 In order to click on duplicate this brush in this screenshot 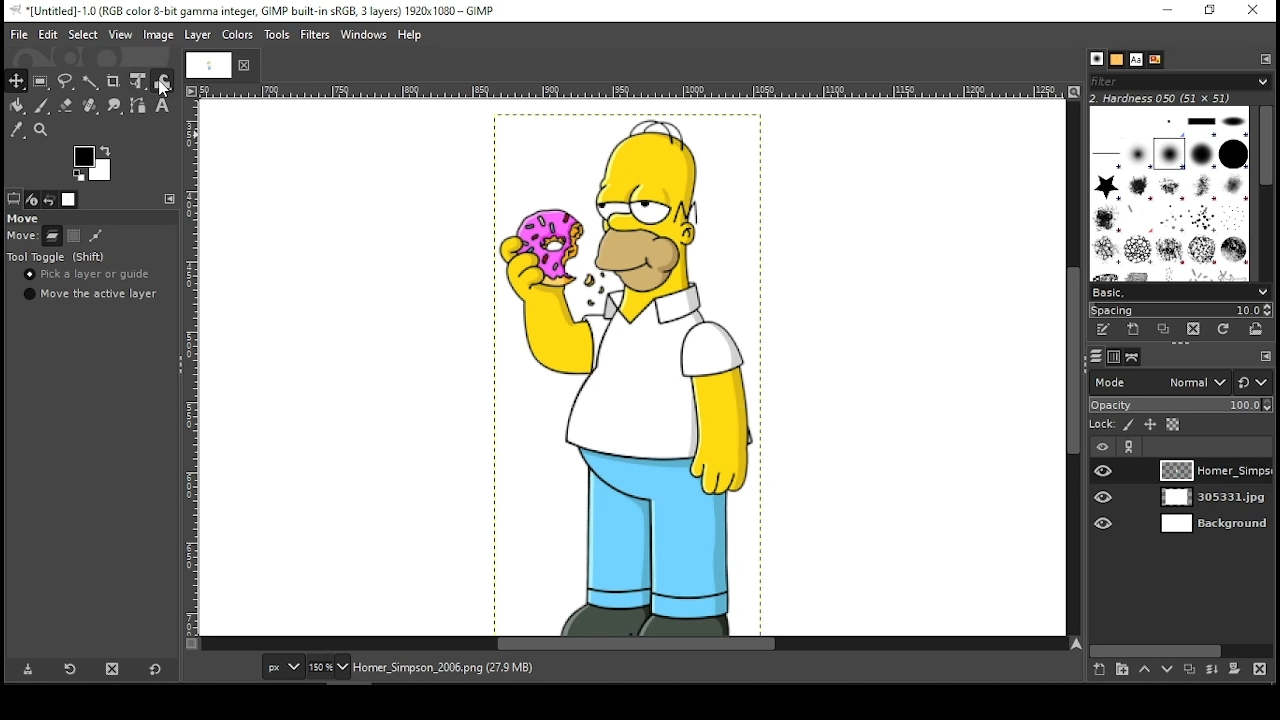, I will do `click(1164, 330)`.